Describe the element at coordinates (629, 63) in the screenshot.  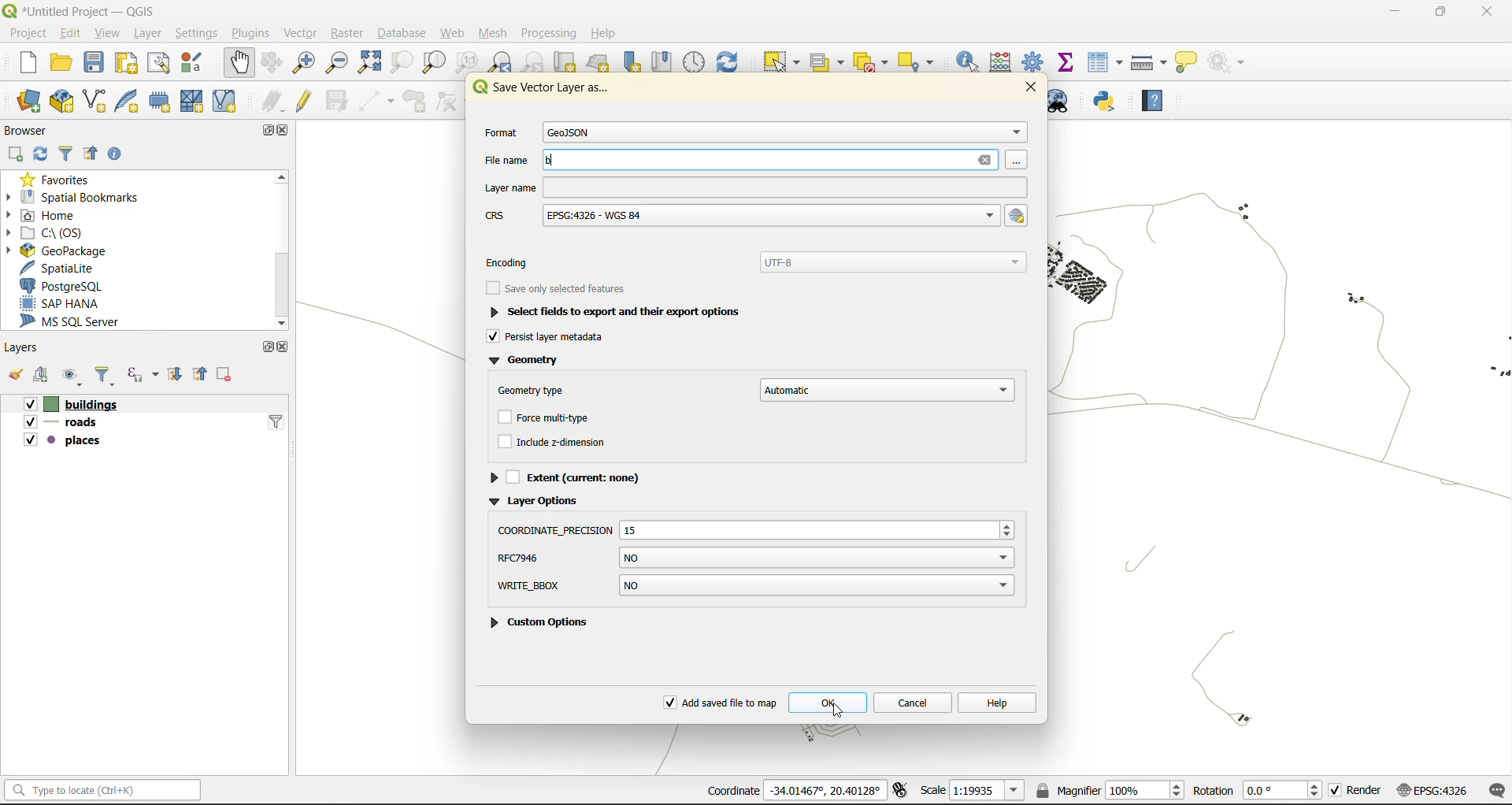
I see `new spatial bookmarks` at that location.